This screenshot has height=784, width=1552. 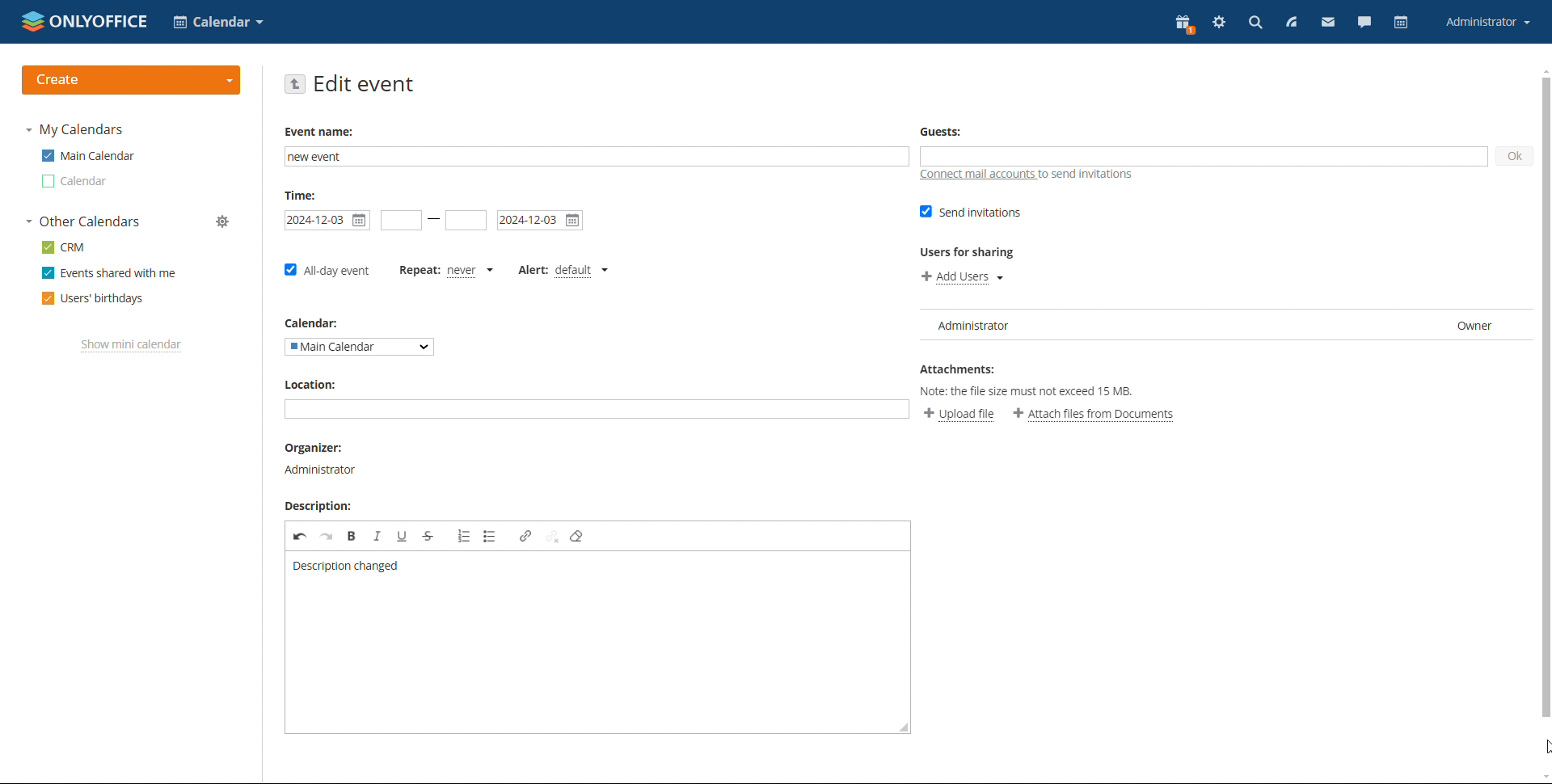 I want to click on unlink, so click(x=553, y=537).